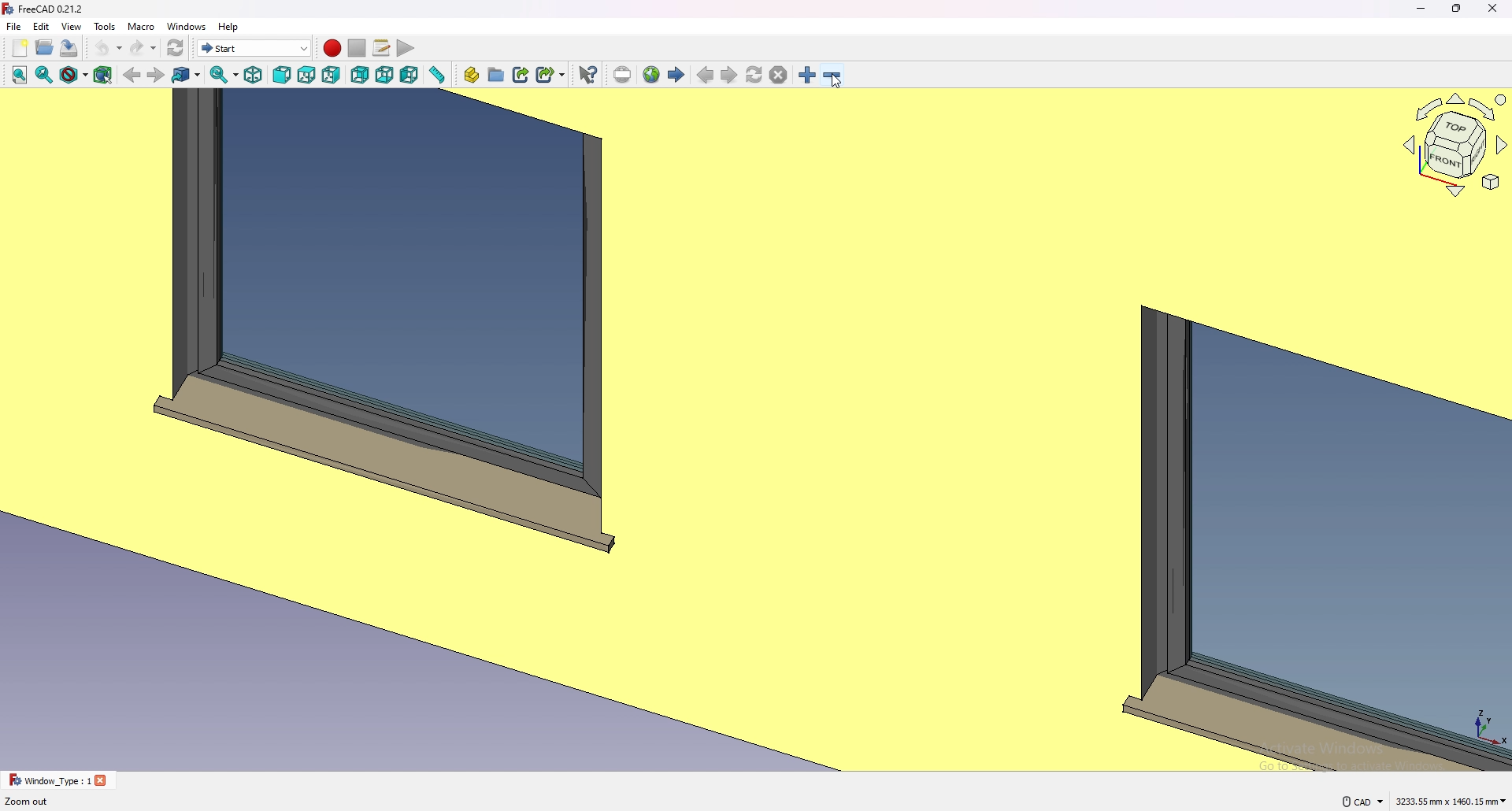 Image resolution: width=1512 pixels, height=811 pixels. Describe the element at coordinates (69, 48) in the screenshot. I see `save` at that location.